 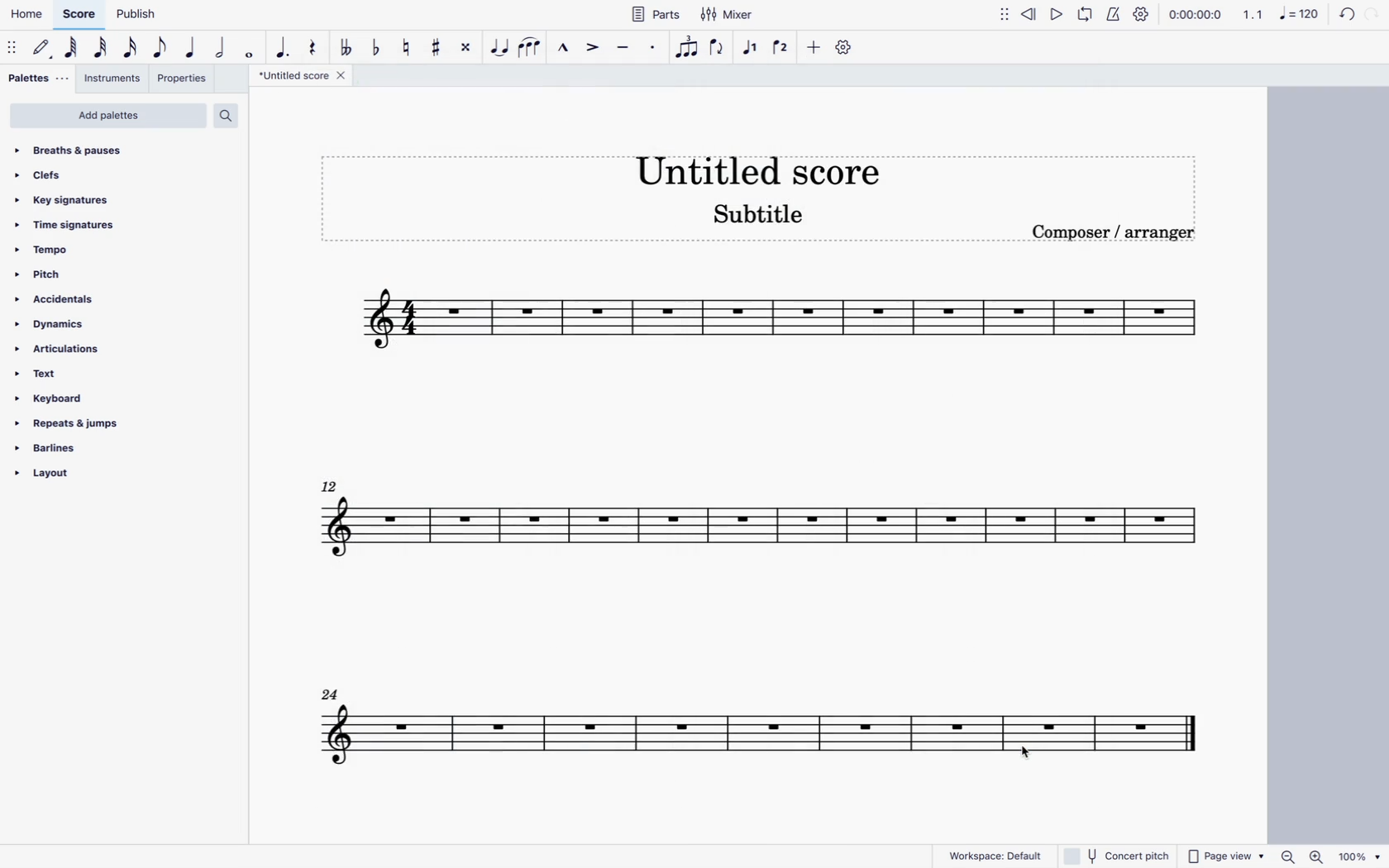 I want to click on instruments, so click(x=112, y=78).